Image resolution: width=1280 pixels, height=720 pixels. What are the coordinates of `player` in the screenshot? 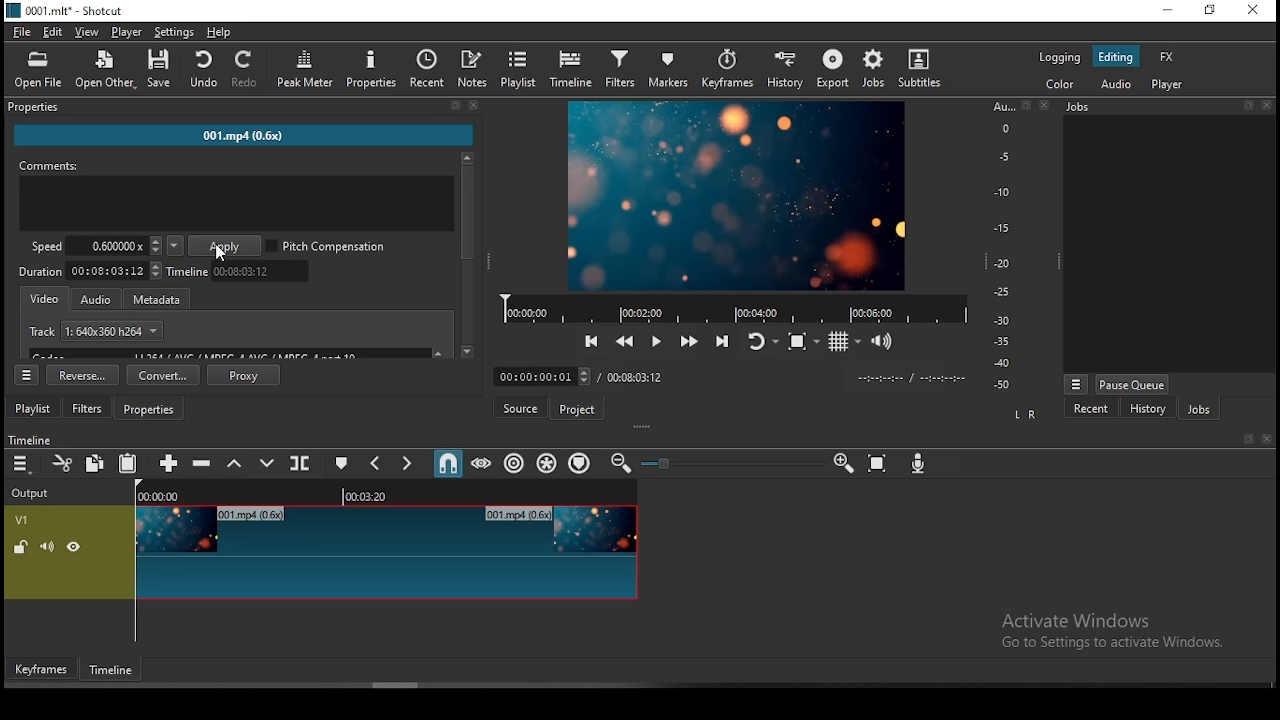 It's located at (1167, 84).